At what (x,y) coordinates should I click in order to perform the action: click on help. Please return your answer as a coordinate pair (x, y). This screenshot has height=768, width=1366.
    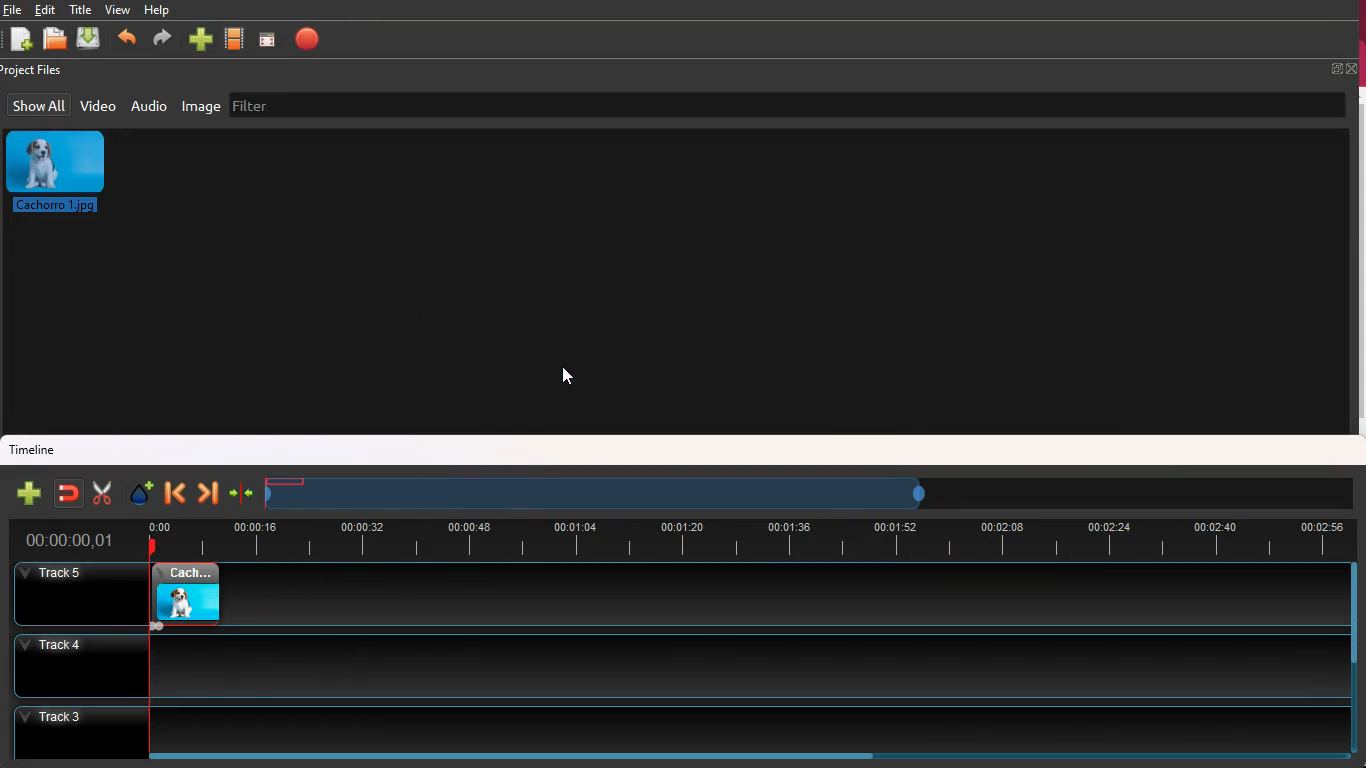
    Looking at the image, I should click on (161, 10).